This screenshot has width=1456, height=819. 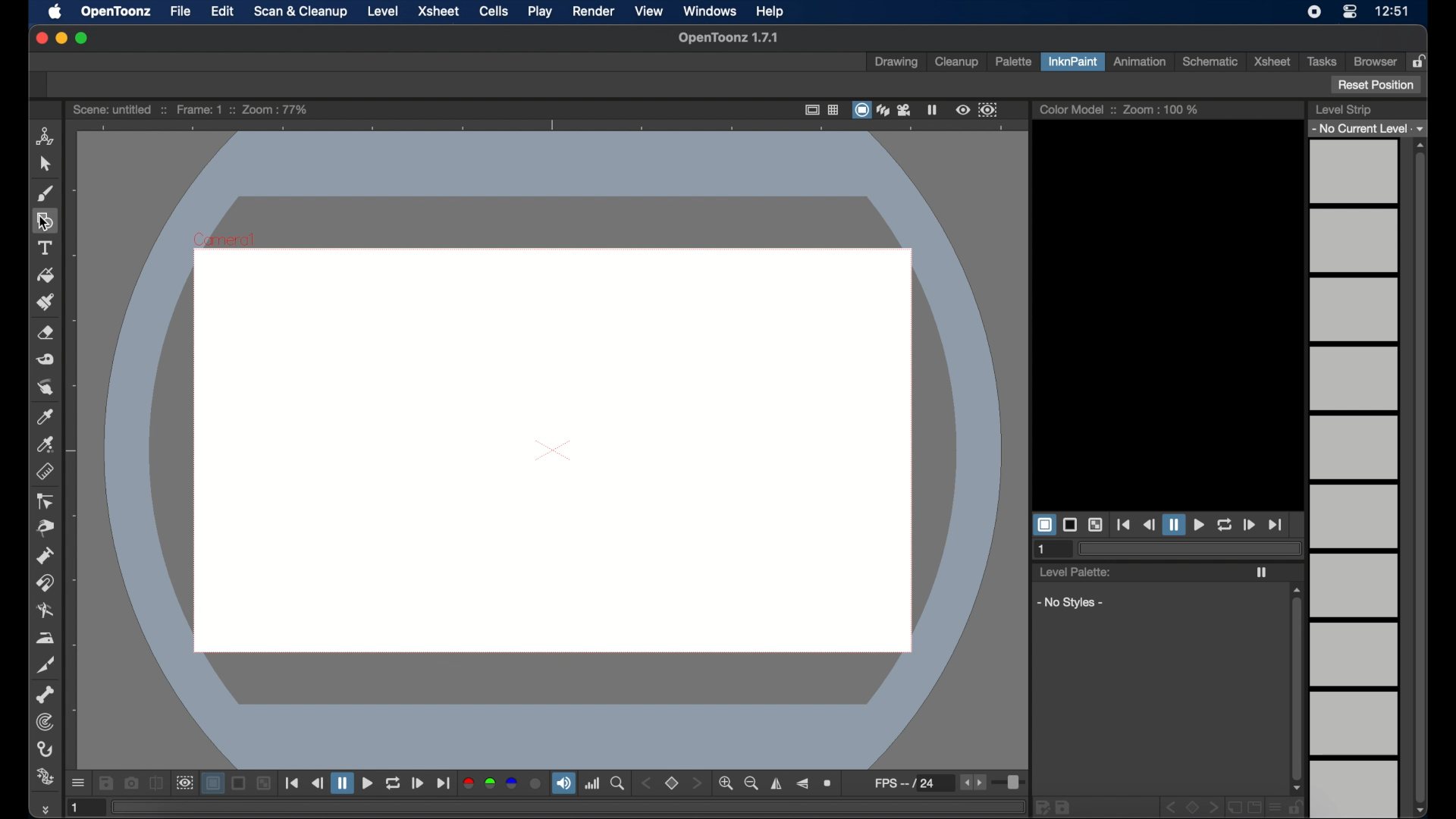 What do you see at coordinates (44, 809) in the screenshot?
I see `more` at bounding box center [44, 809].